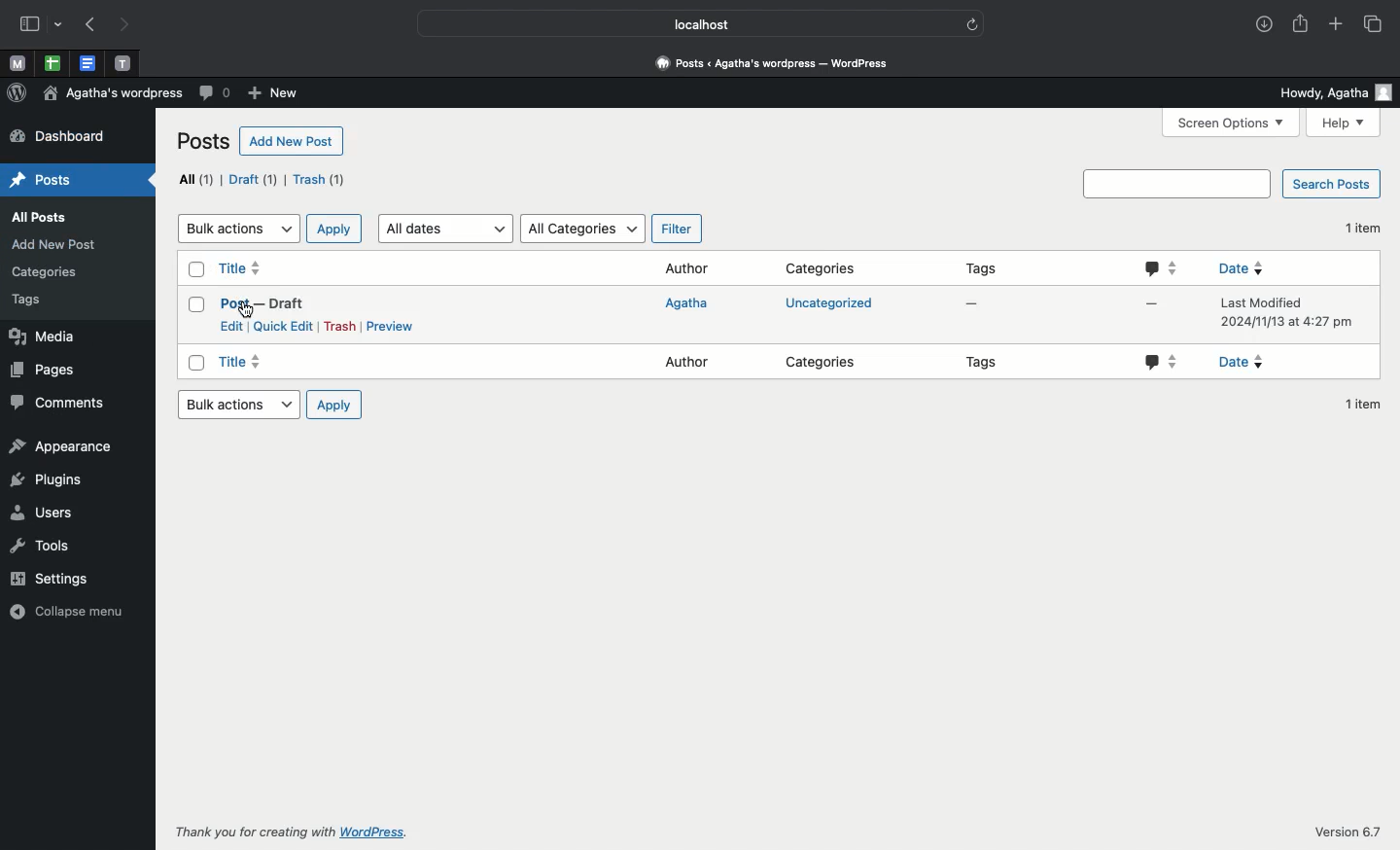  Describe the element at coordinates (45, 370) in the screenshot. I see `Pages` at that location.